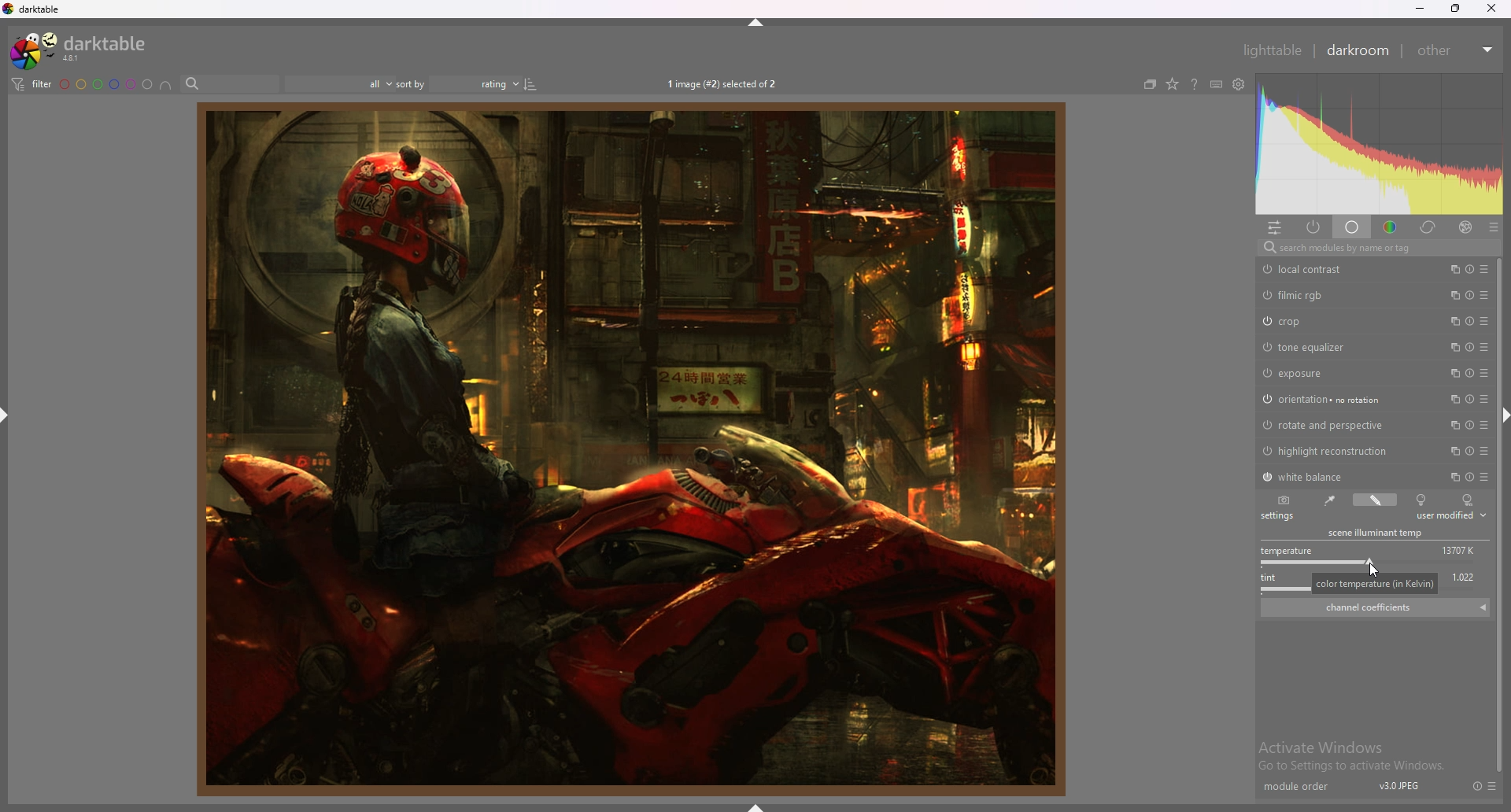 This screenshot has height=812, width=1511. Describe the element at coordinates (1310, 270) in the screenshot. I see `local contrast` at that location.